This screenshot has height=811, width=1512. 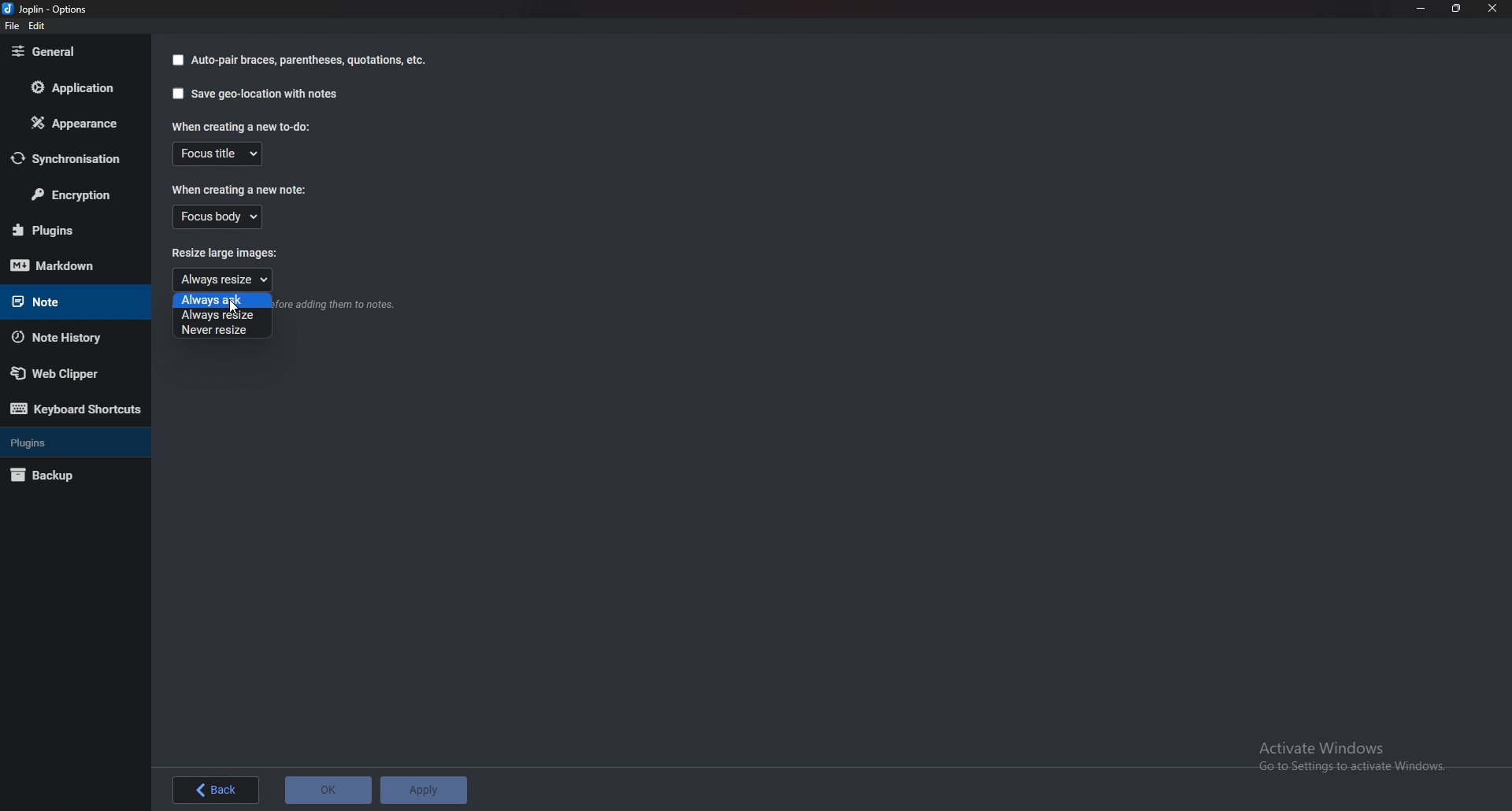 What do you see at coordinates (66, 266) in the screenshot?
I see `Mark down` at bounding box center [66, 266].